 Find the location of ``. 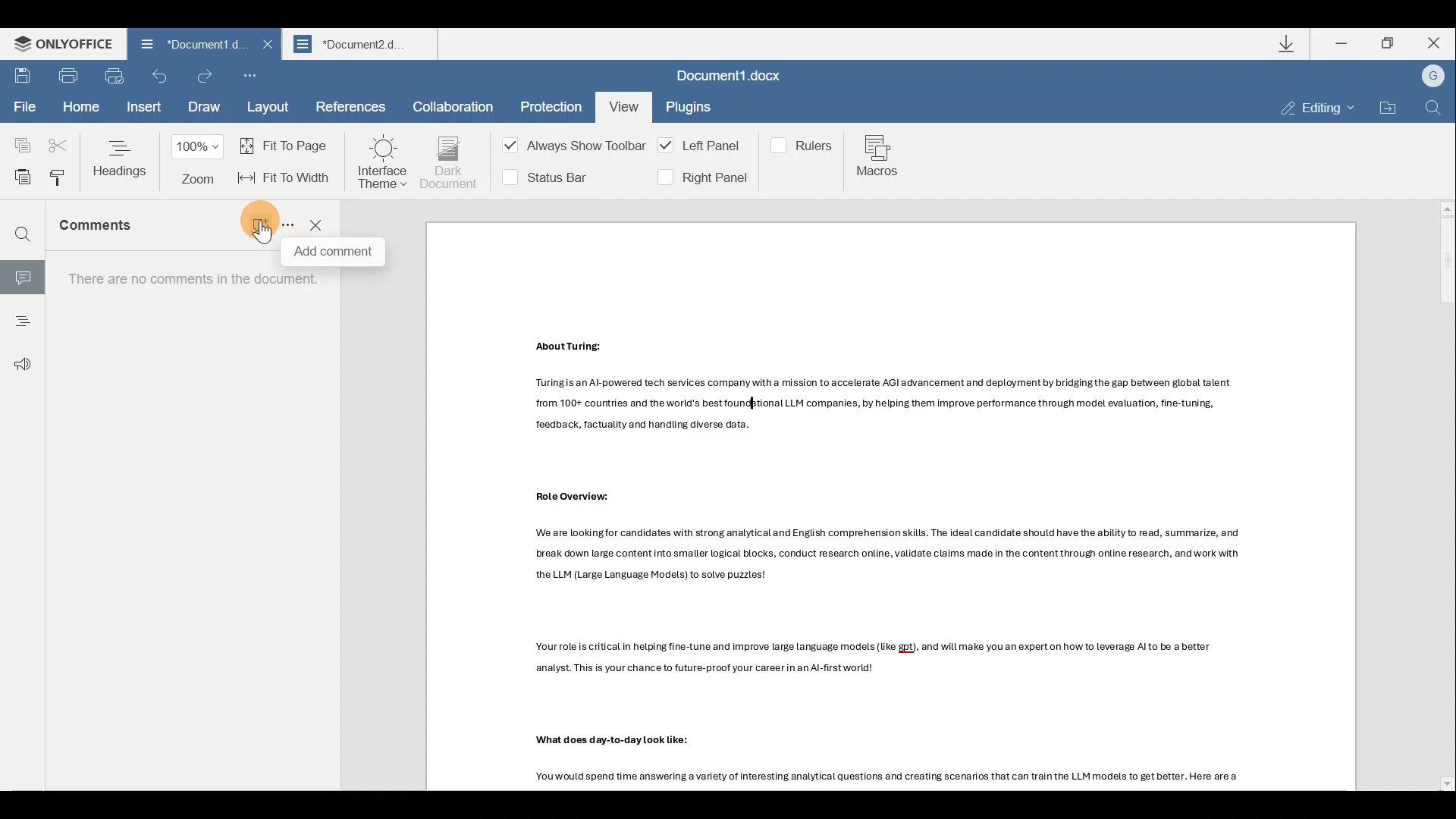

 is located at coordinates (574, 497).